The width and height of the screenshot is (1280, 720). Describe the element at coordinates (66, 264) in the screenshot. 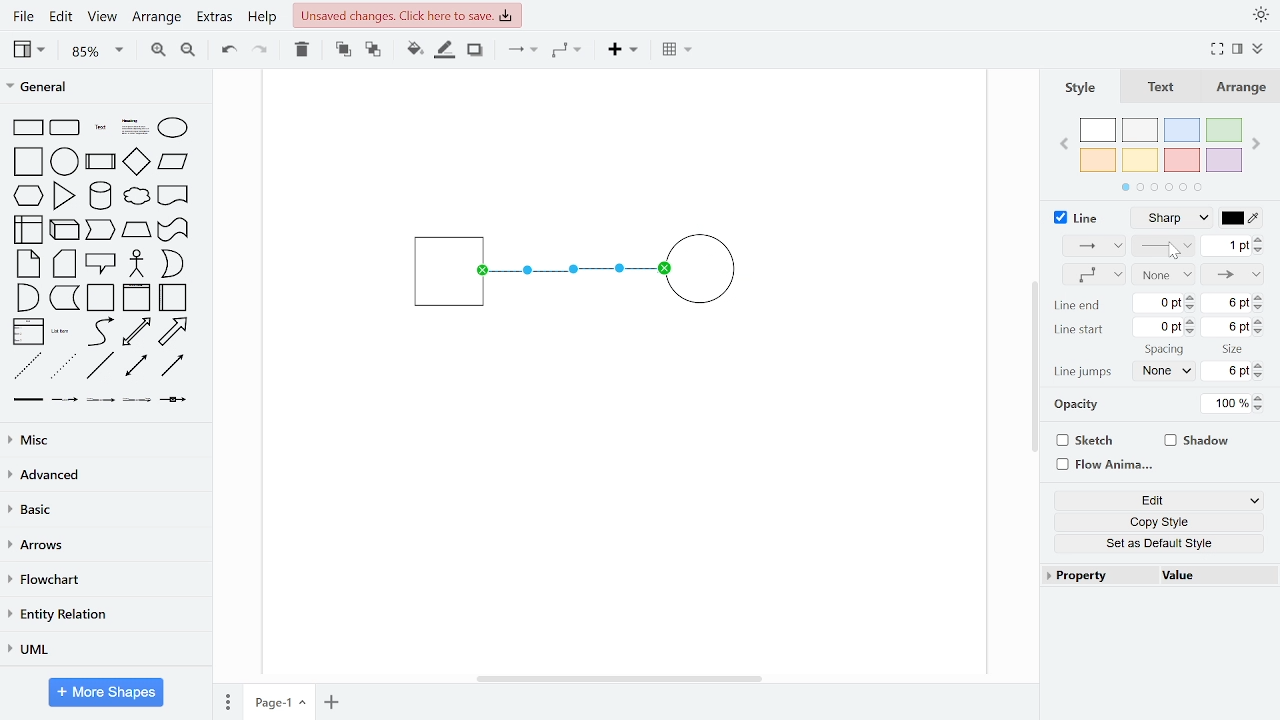

I see `card` at that location.